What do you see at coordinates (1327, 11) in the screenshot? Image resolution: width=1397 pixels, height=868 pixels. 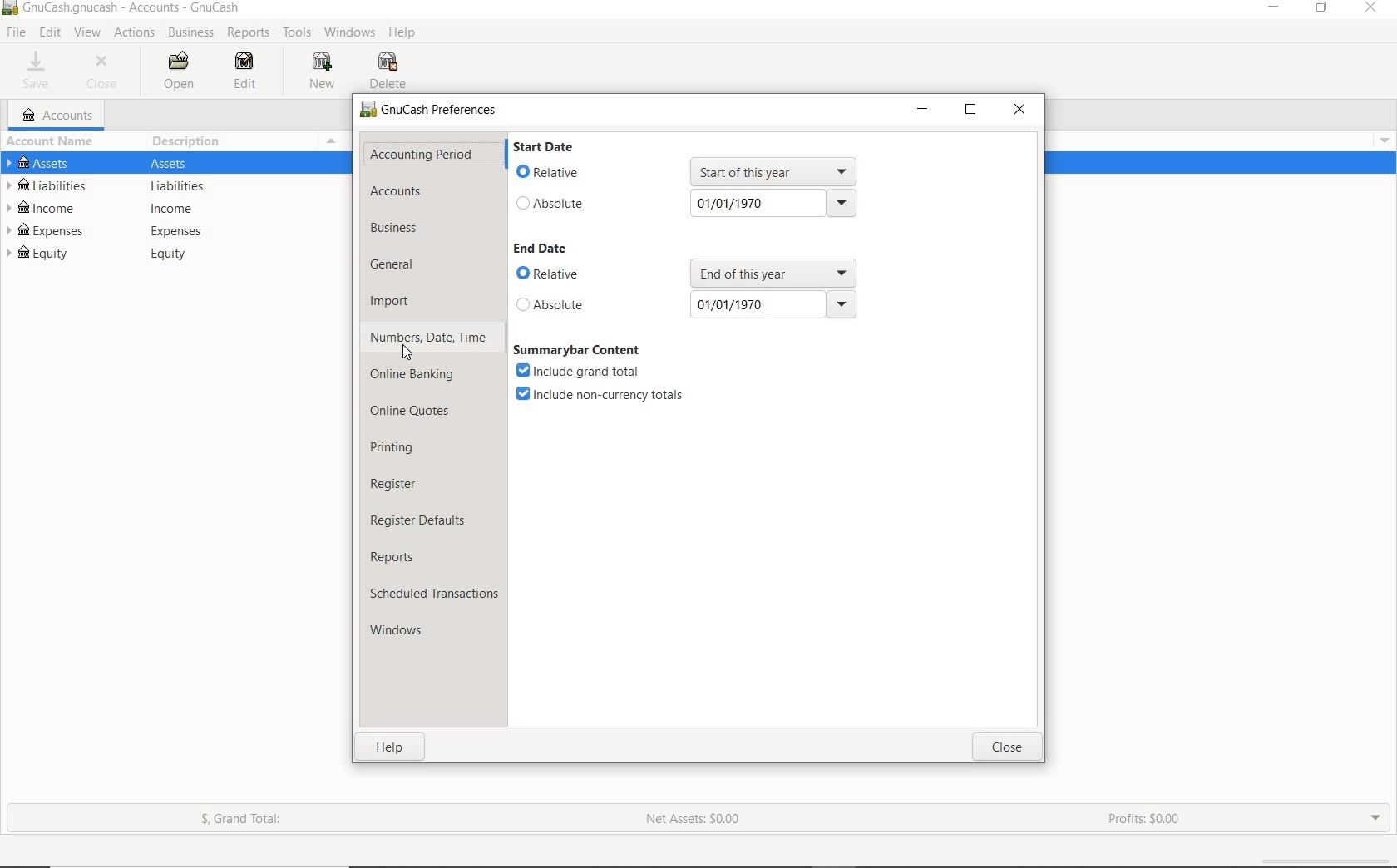 I see `RESTORE DOWN` at bounding box center [1327, 11].